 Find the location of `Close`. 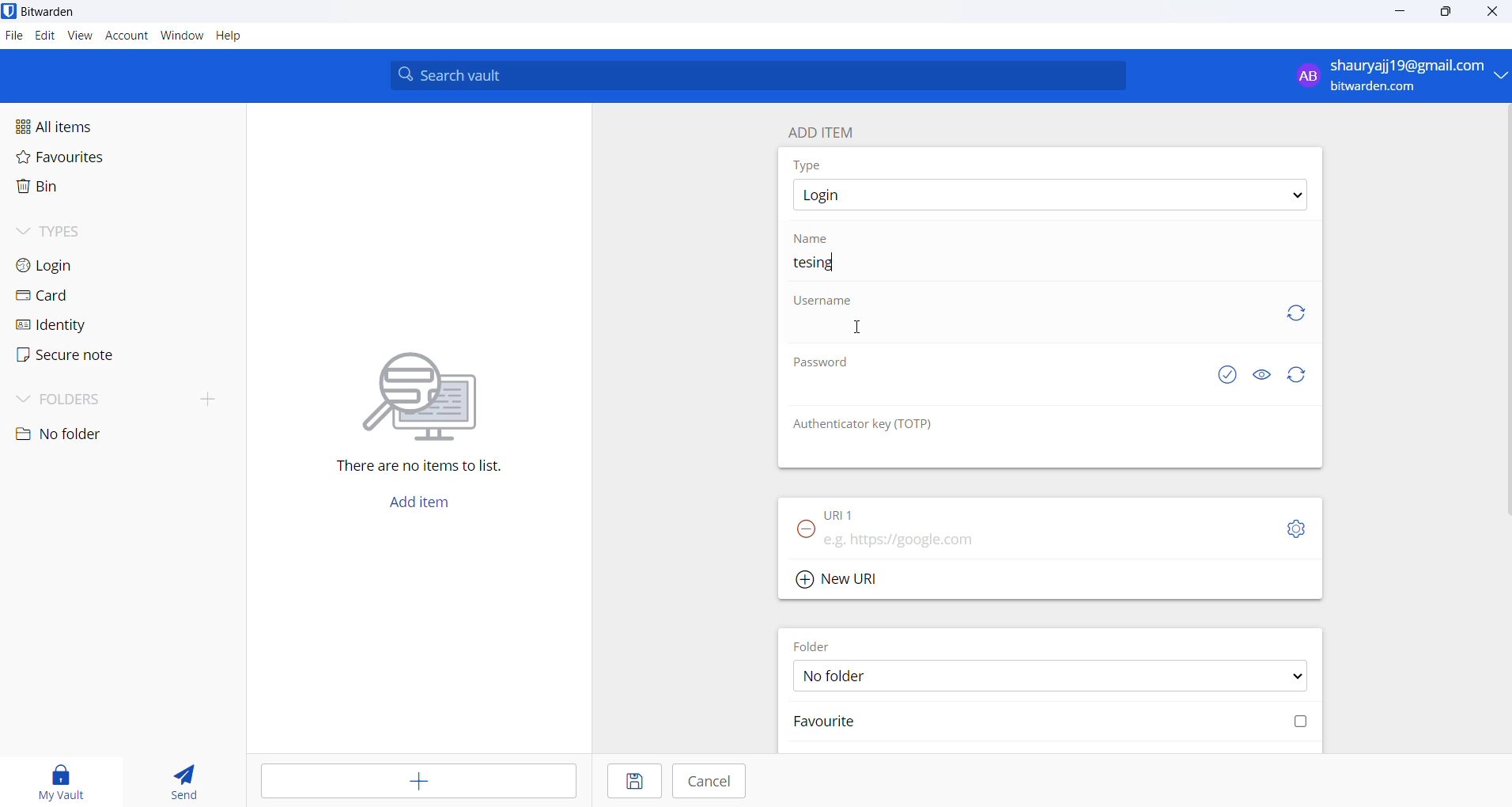

Close is located at coordinates (1494, 14).